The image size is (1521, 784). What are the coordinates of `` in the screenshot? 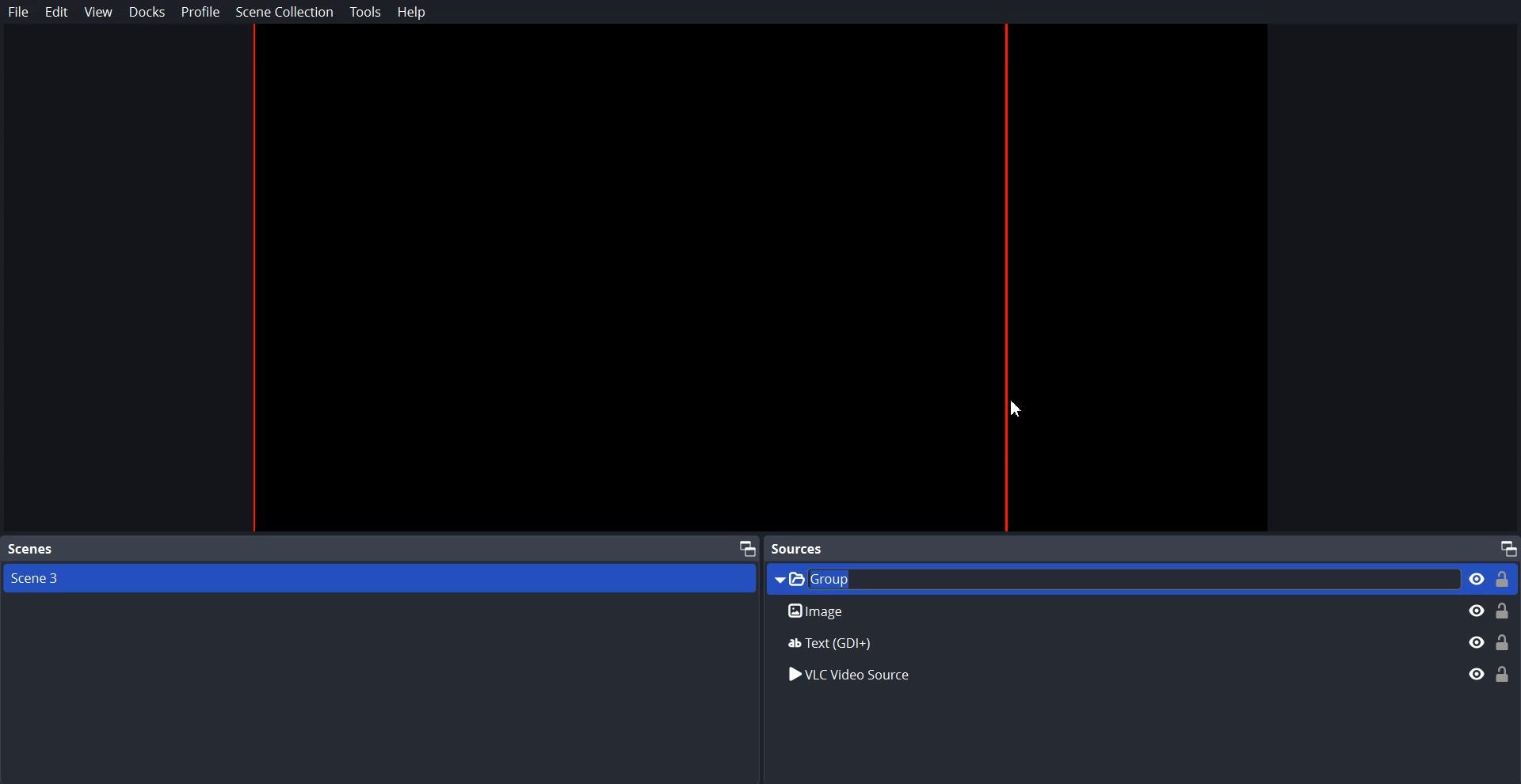 It's located at (1138, 641).